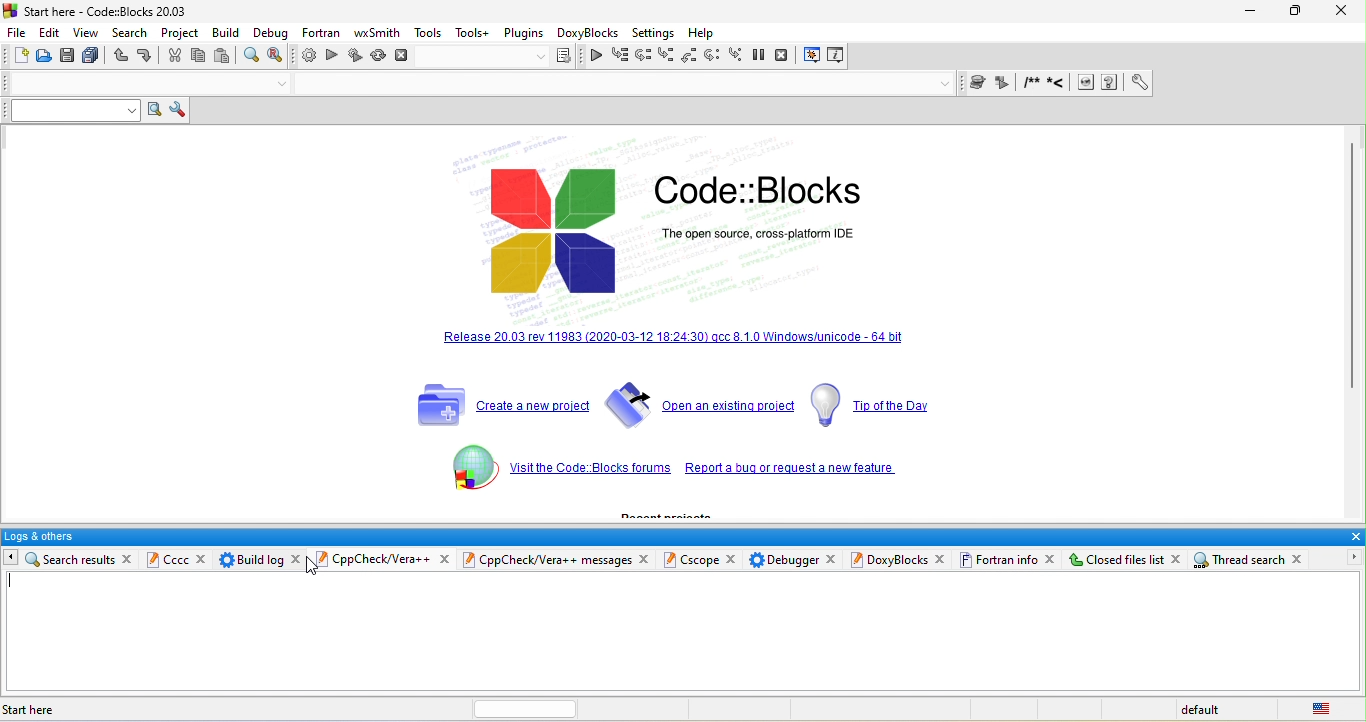 The height and width of the screenshot is (722, 1366). I want to click on rebuild, so click(379, 56).